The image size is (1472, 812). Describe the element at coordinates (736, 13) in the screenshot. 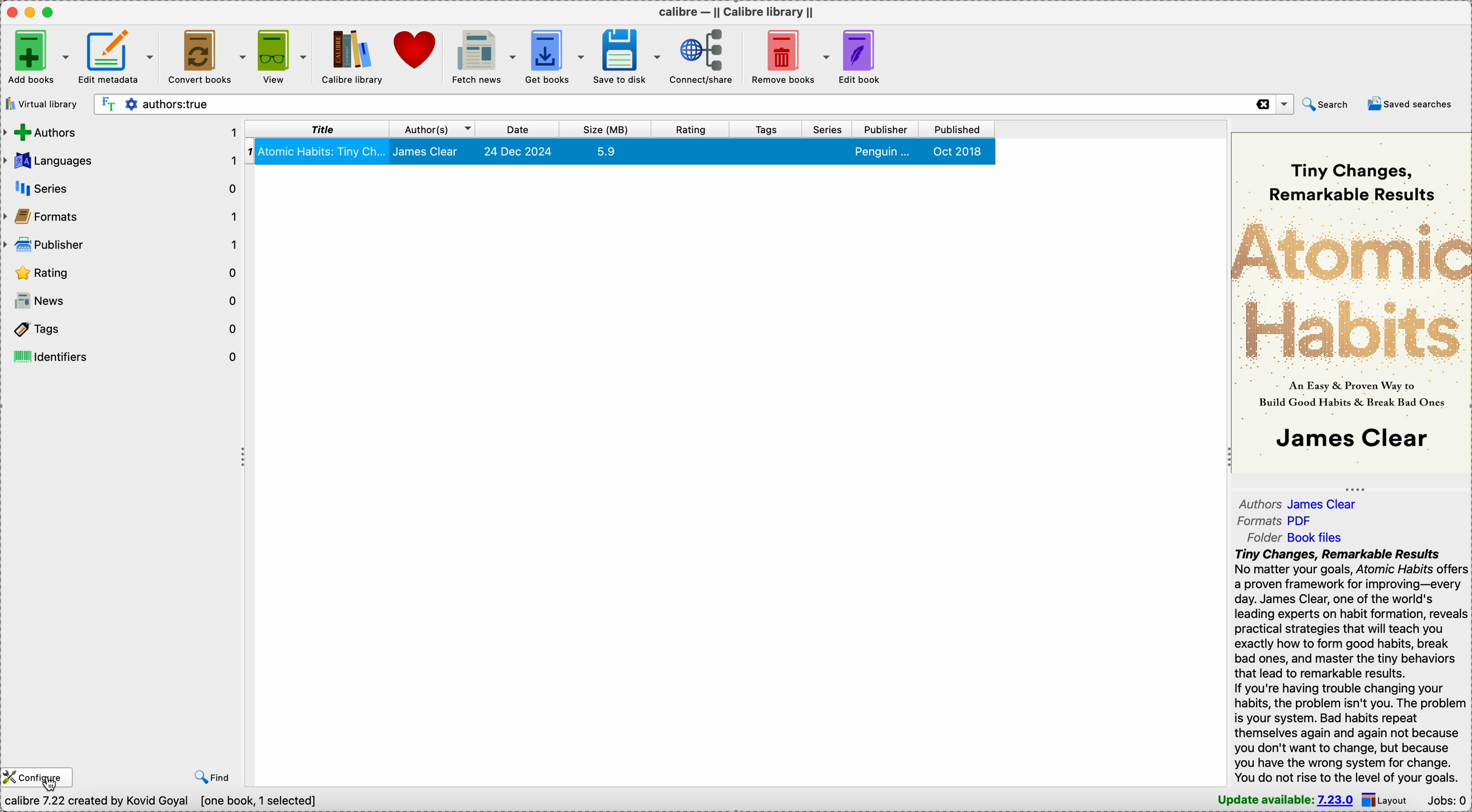

I see `Calibre - || calibre library ||` at that location.